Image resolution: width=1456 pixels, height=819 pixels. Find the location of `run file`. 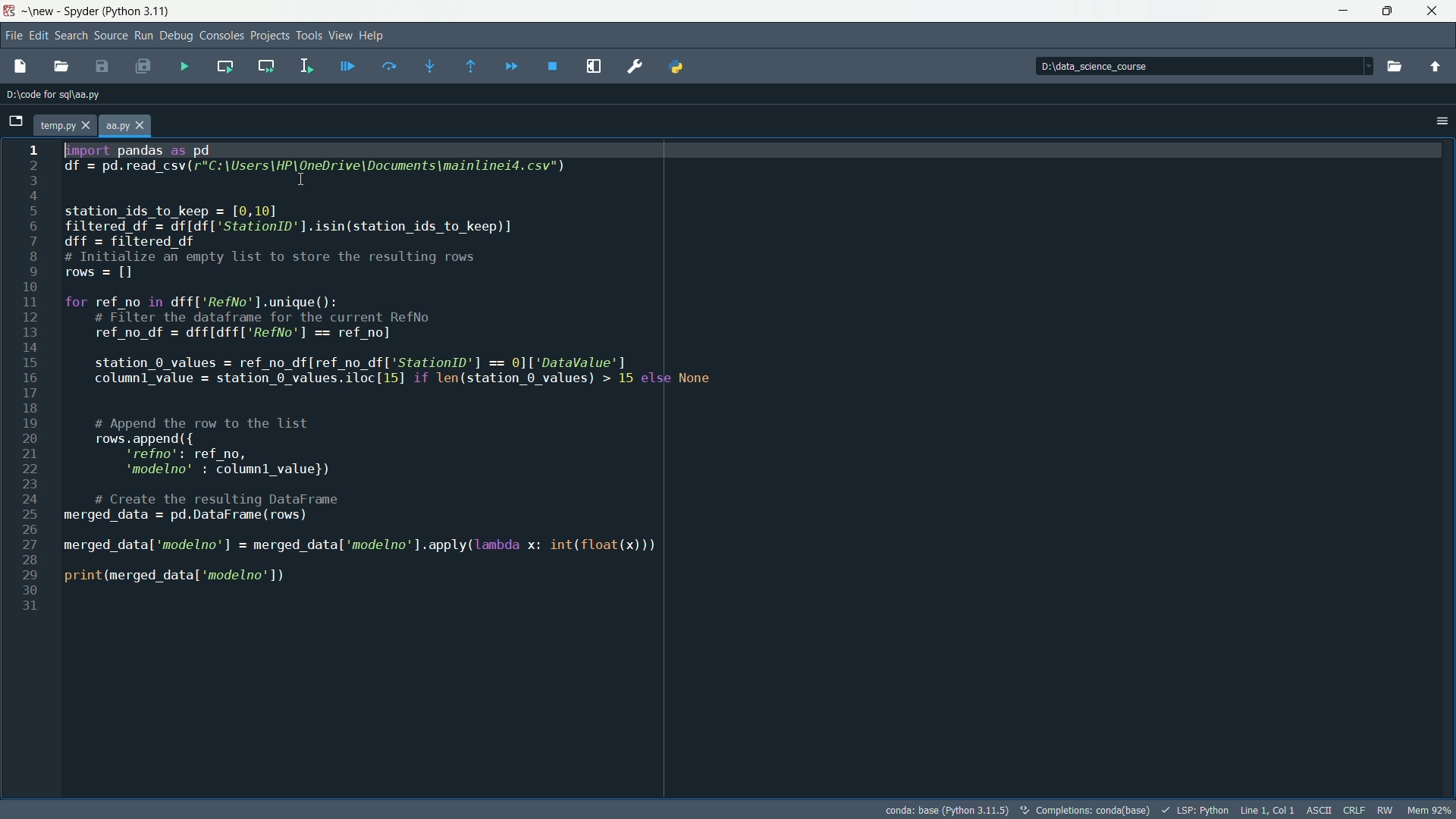

run file is located at coordinates (184, 67).